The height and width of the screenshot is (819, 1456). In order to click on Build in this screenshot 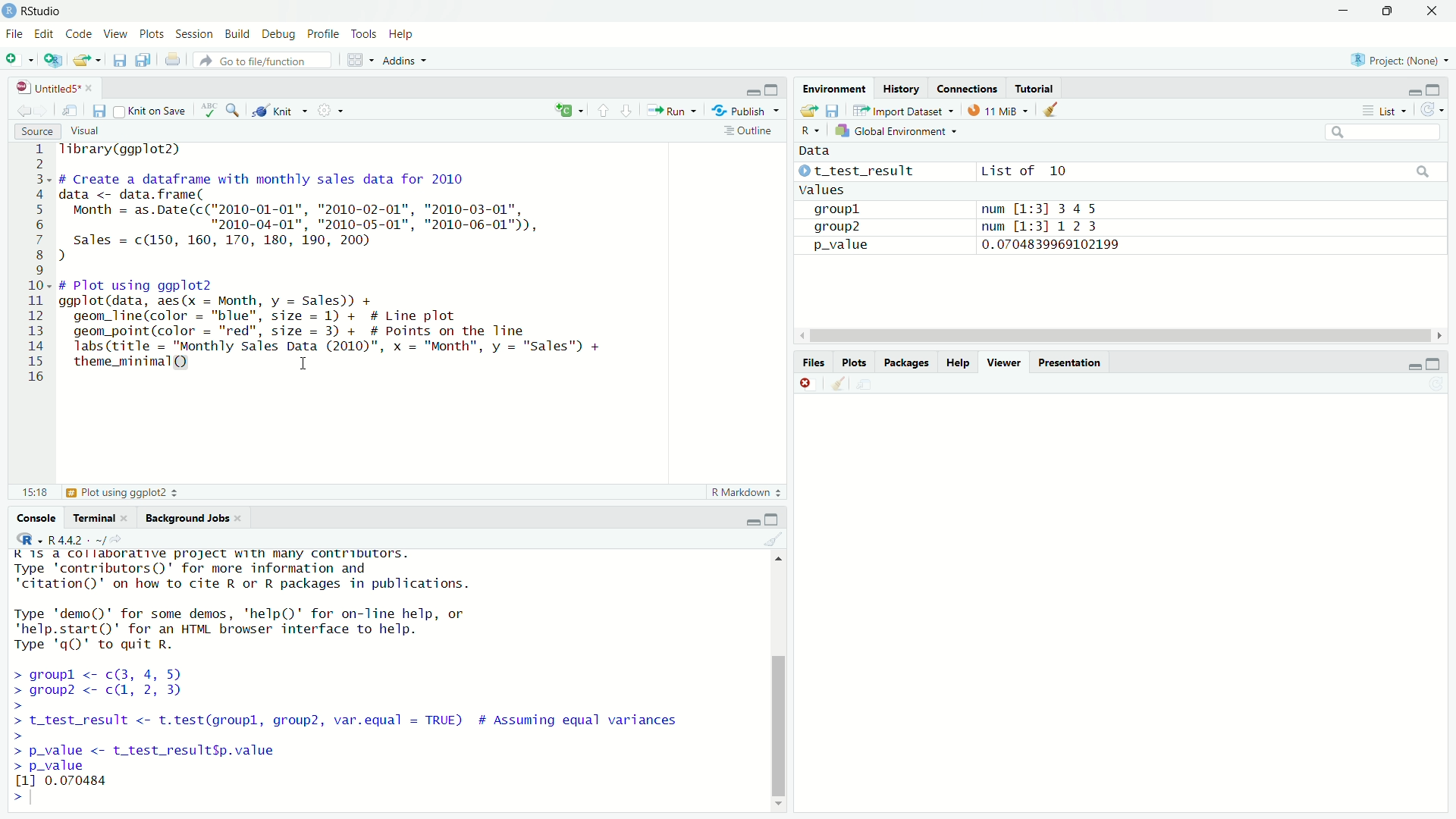, I will do `click(237, 31)`.